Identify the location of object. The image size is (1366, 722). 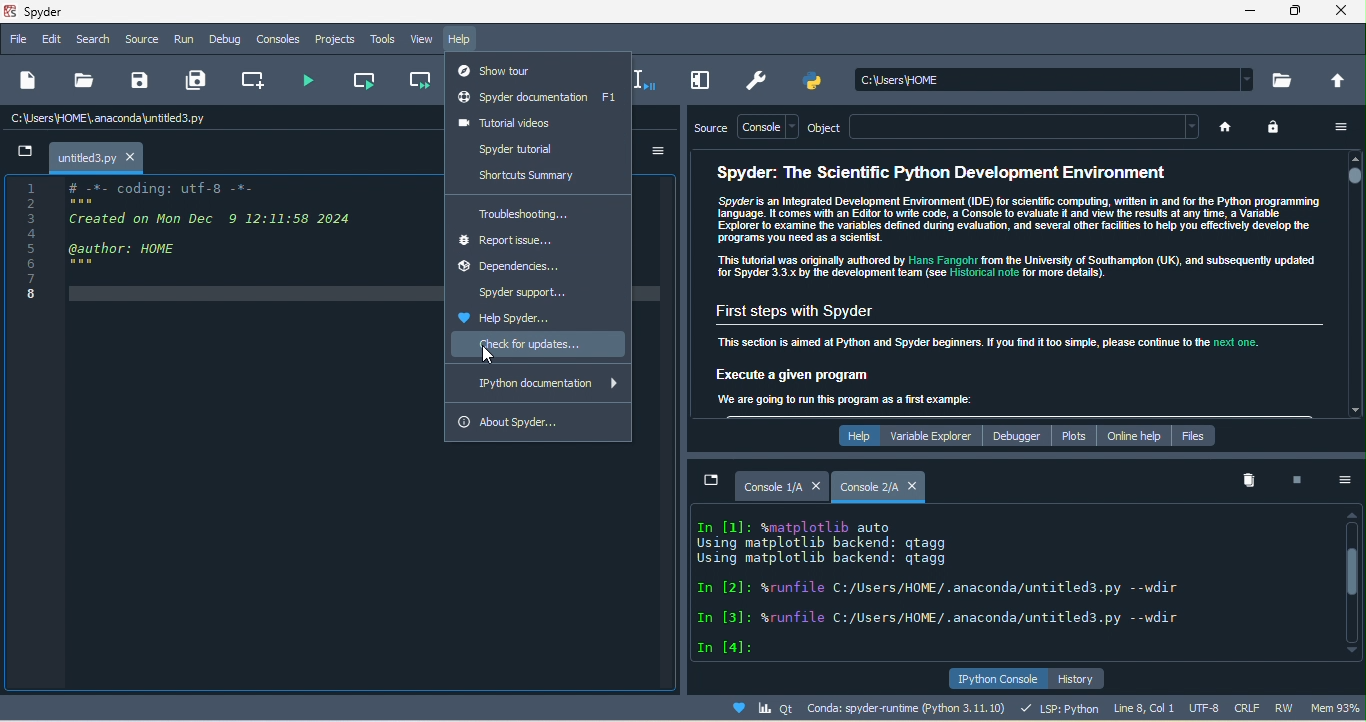
(831, 127).